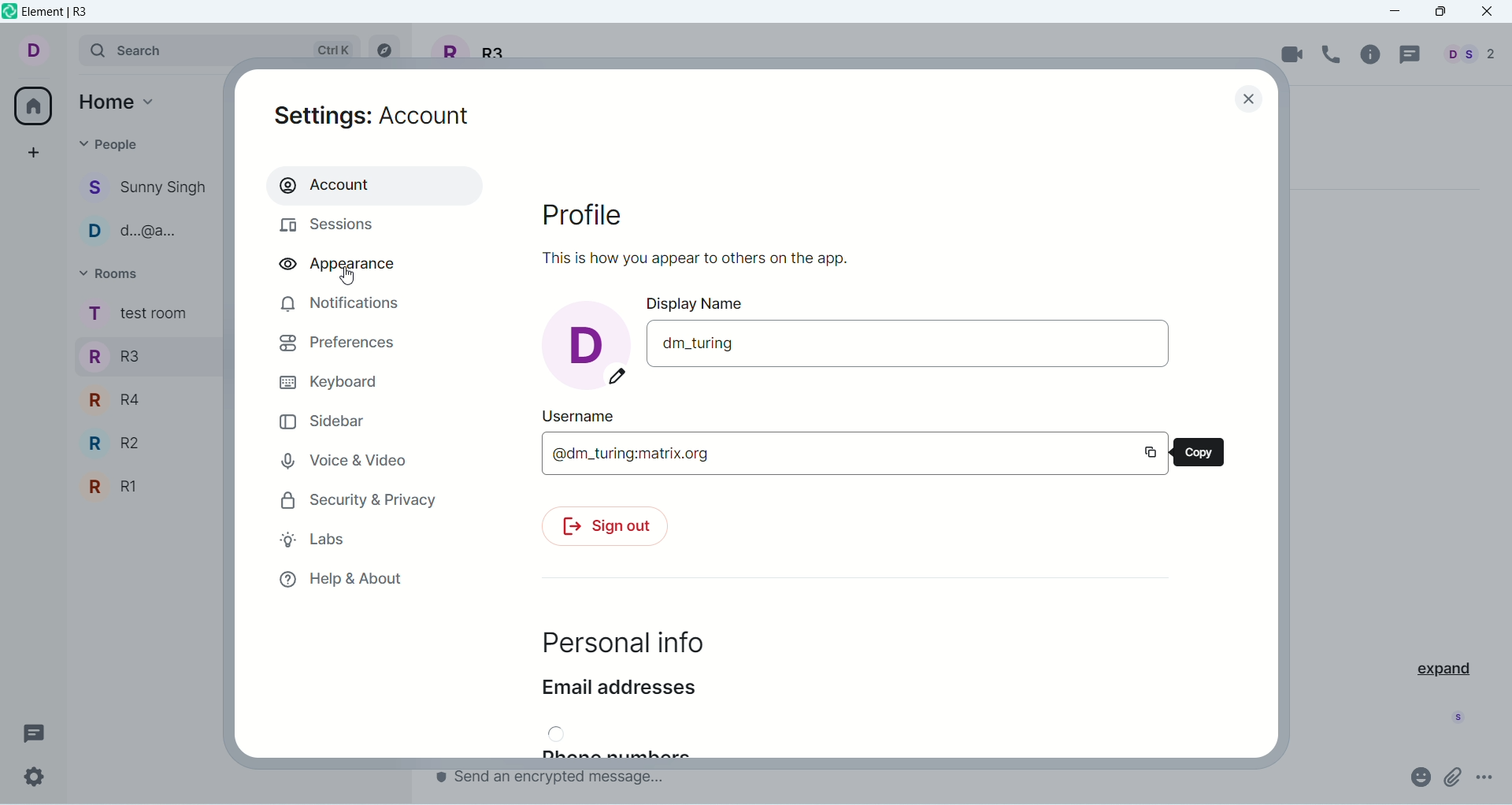  I want to click on threads, so click(34, 730).